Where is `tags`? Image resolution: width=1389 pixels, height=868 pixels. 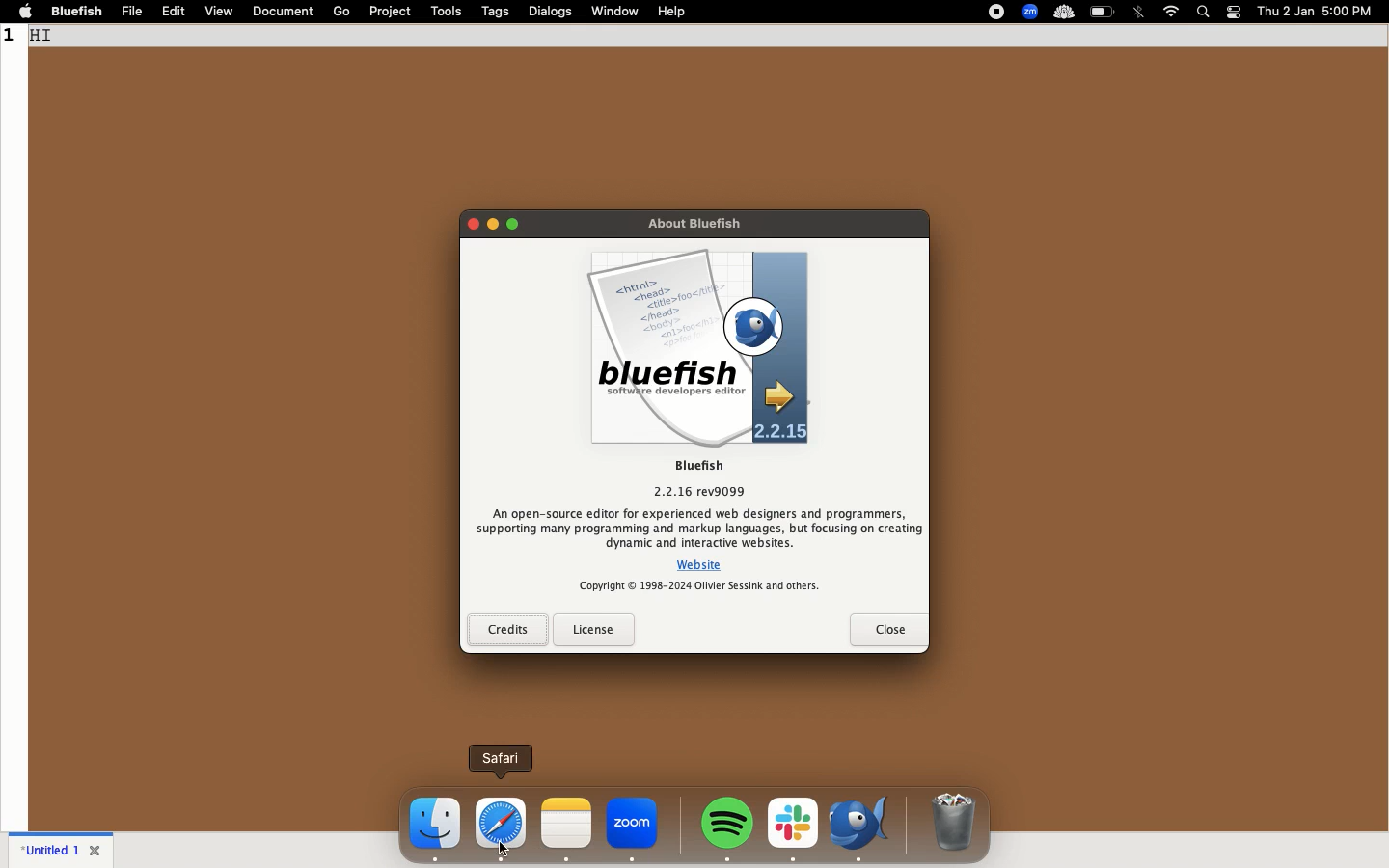
tags is located at coordinates (499, 12).